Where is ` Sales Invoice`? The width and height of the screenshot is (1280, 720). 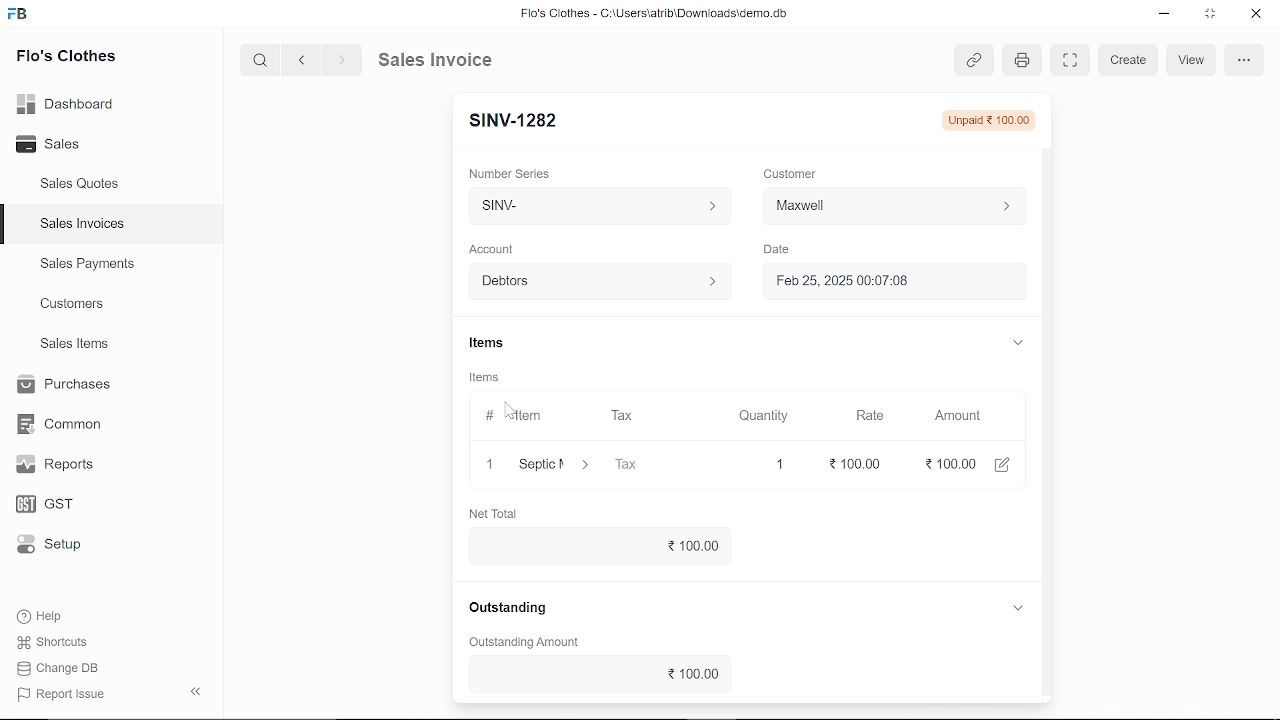  Sales Invoice is located at coordinates (446, 61).